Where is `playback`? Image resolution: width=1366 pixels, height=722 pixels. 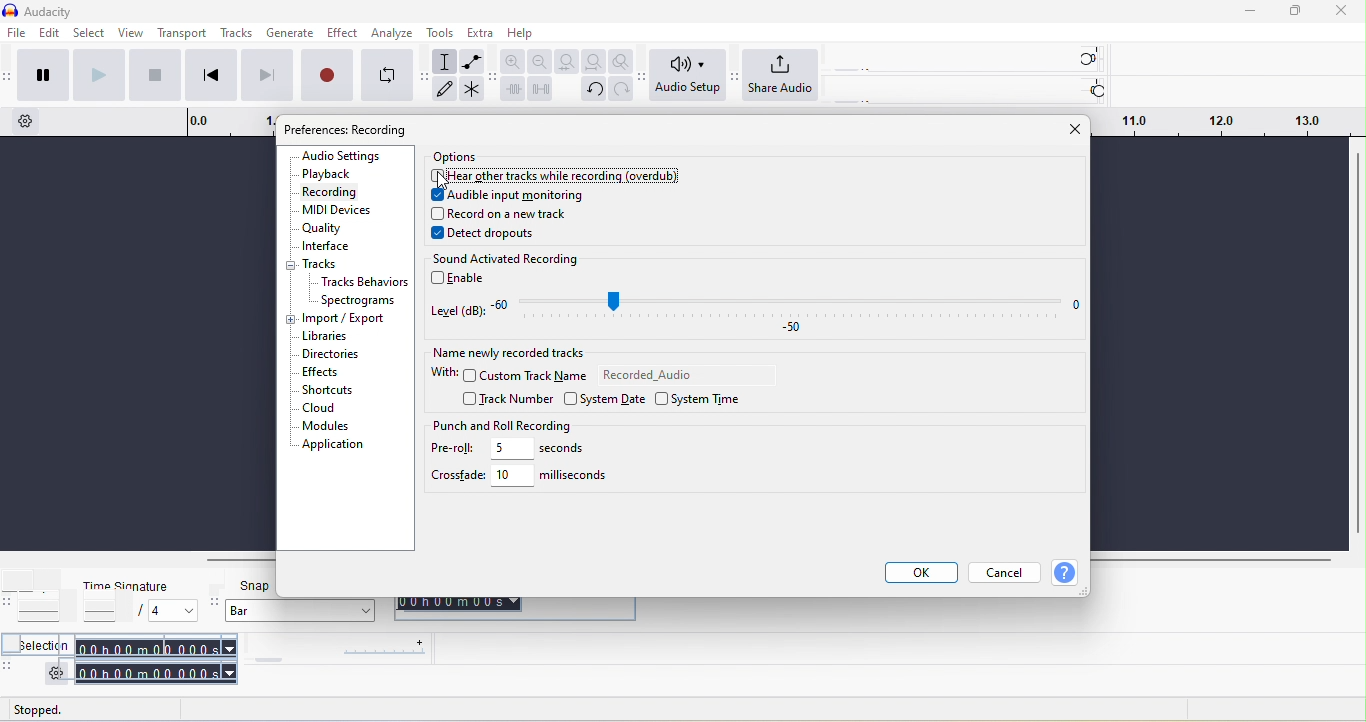 playback is located at coordinates (333, 176).